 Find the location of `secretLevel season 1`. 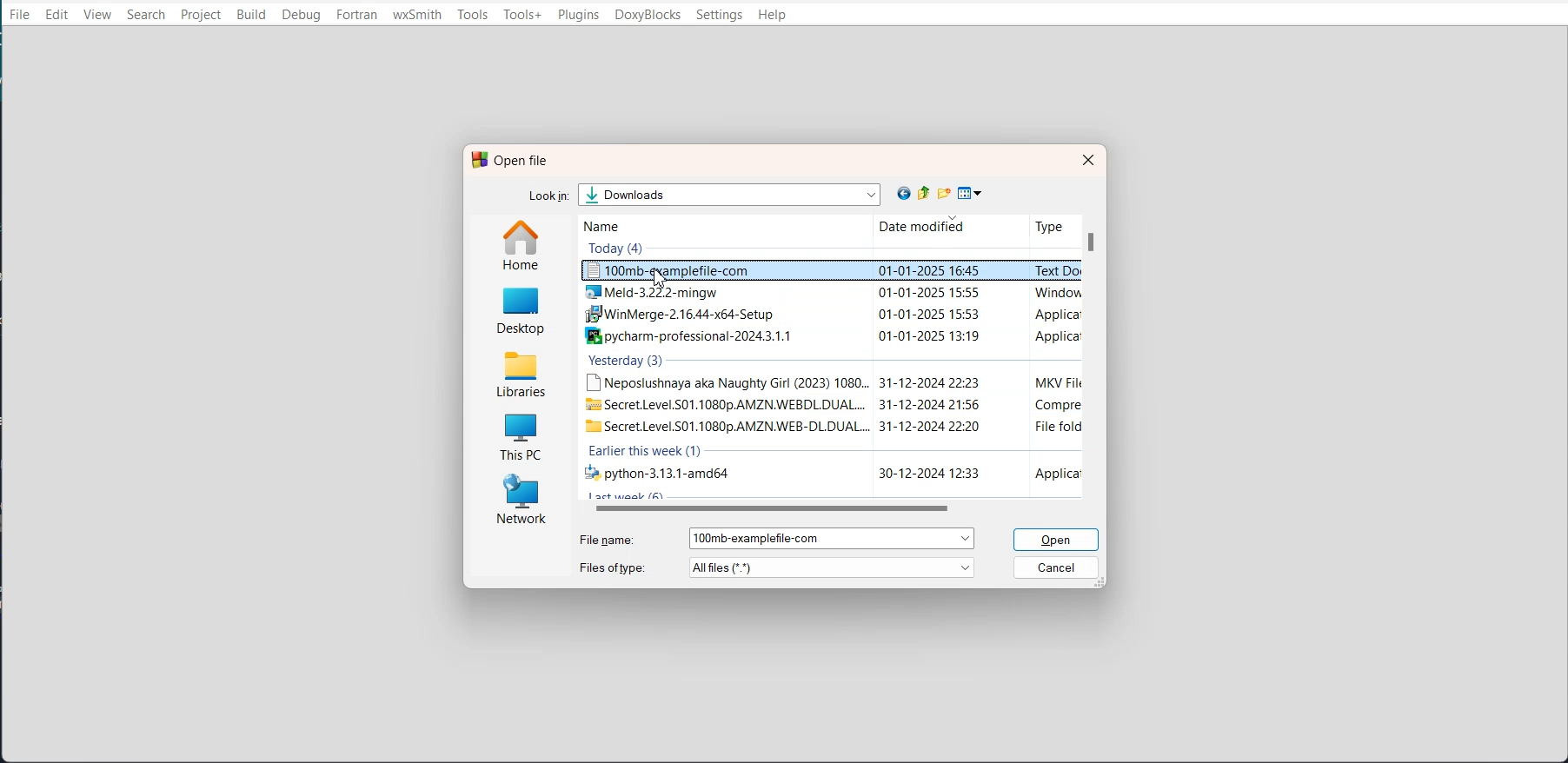

secretLevel season 1 is located at coordinates (827, 426).